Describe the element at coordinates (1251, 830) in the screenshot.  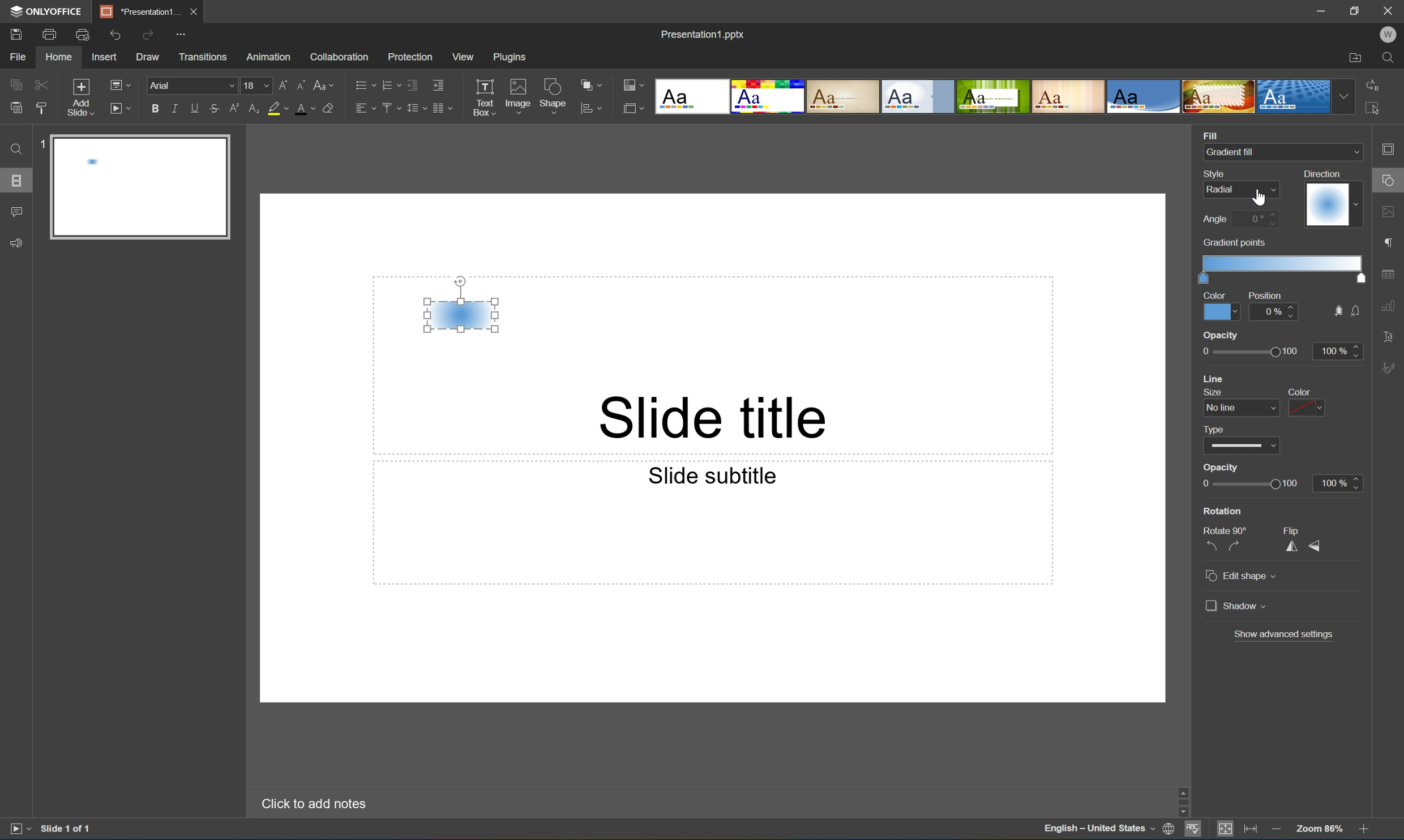
I see `Fit to width` at that location.